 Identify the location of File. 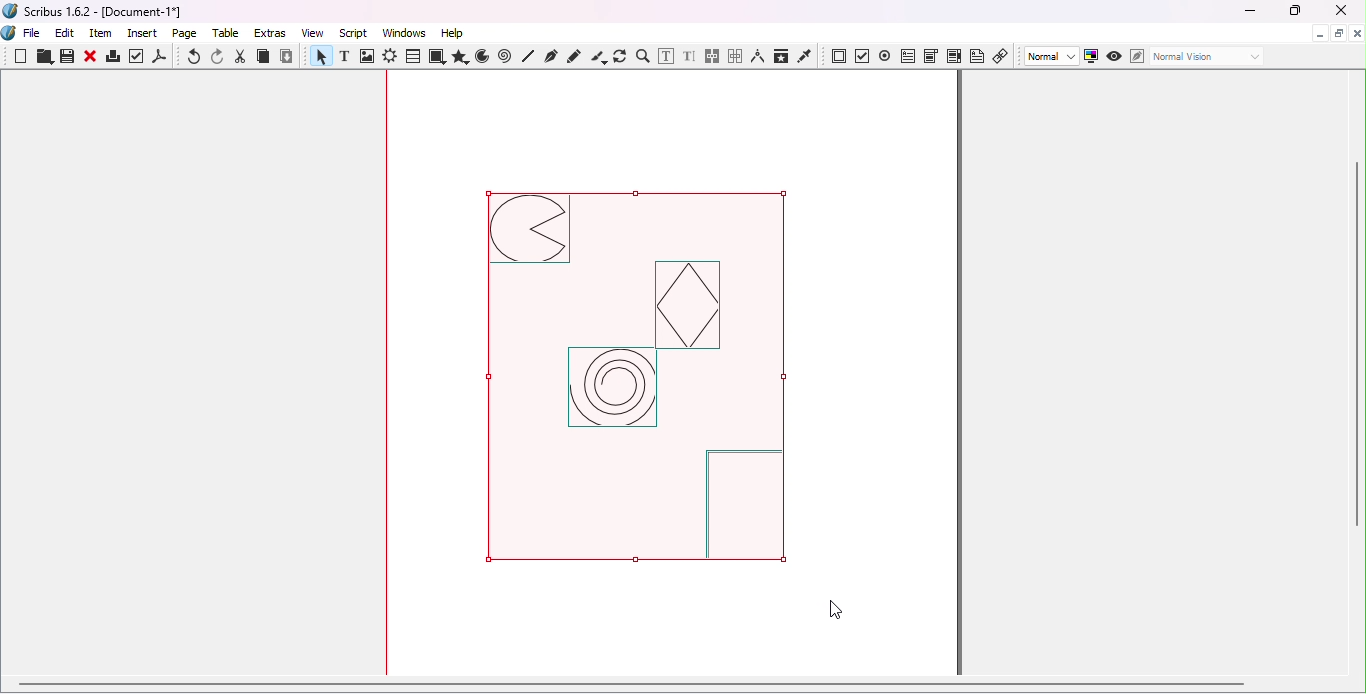
(32, 34).